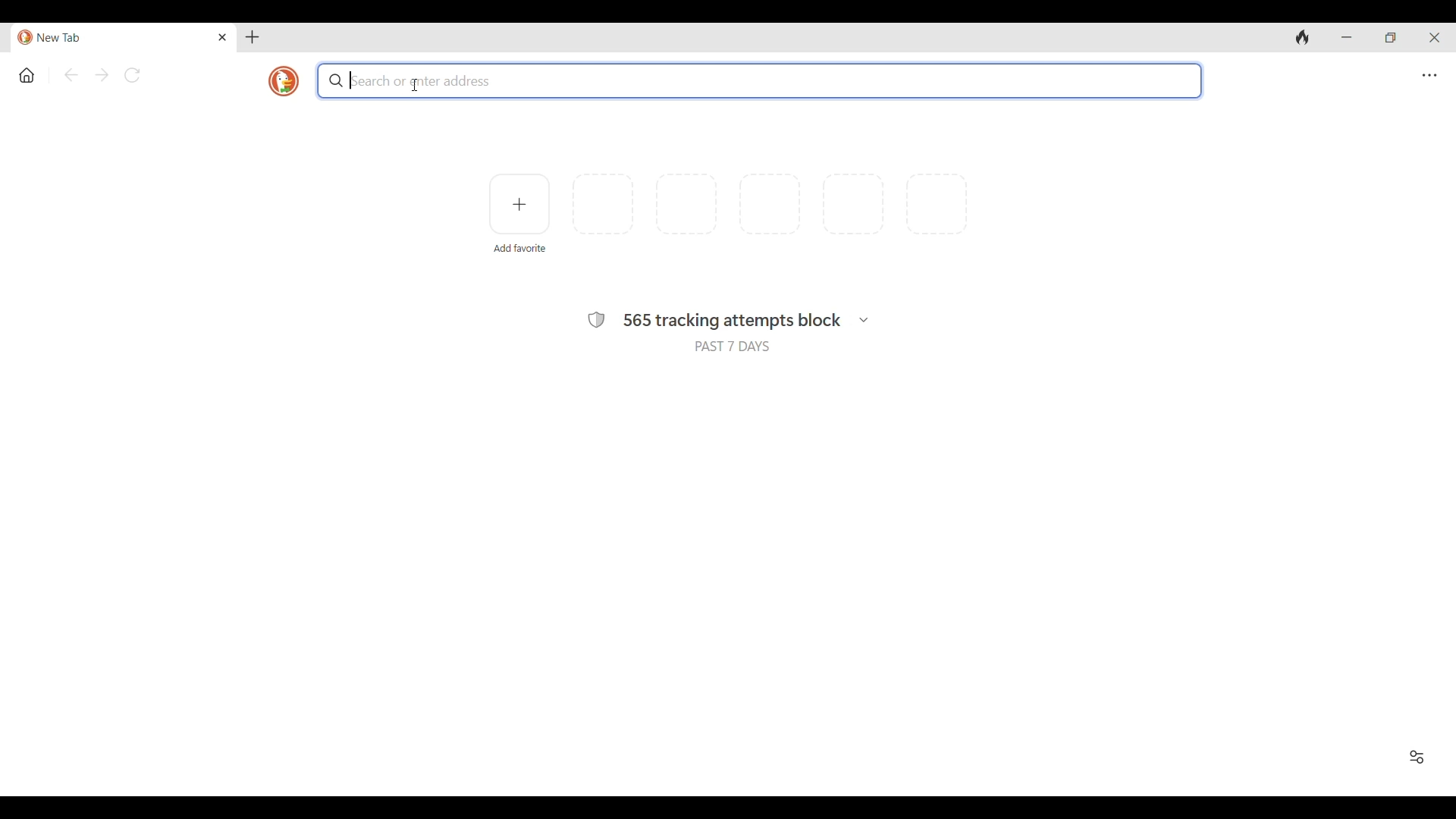 This screenshot has height=819, width=1456. Describe the element at coordinates (252, 37) in the screenshot. I see `Add new tab` at that location.